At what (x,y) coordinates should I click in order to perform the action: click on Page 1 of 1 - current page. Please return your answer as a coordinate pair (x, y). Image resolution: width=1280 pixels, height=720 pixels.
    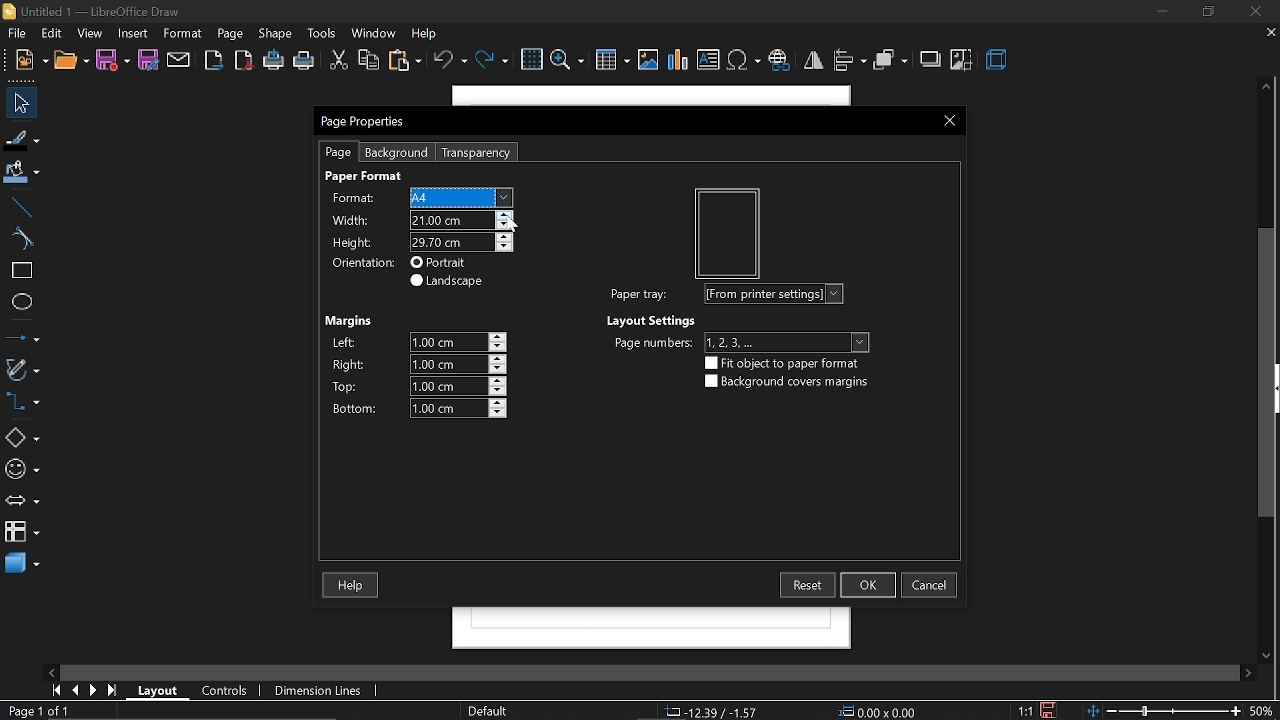
    Looking at the image, I should click on (40, 711).